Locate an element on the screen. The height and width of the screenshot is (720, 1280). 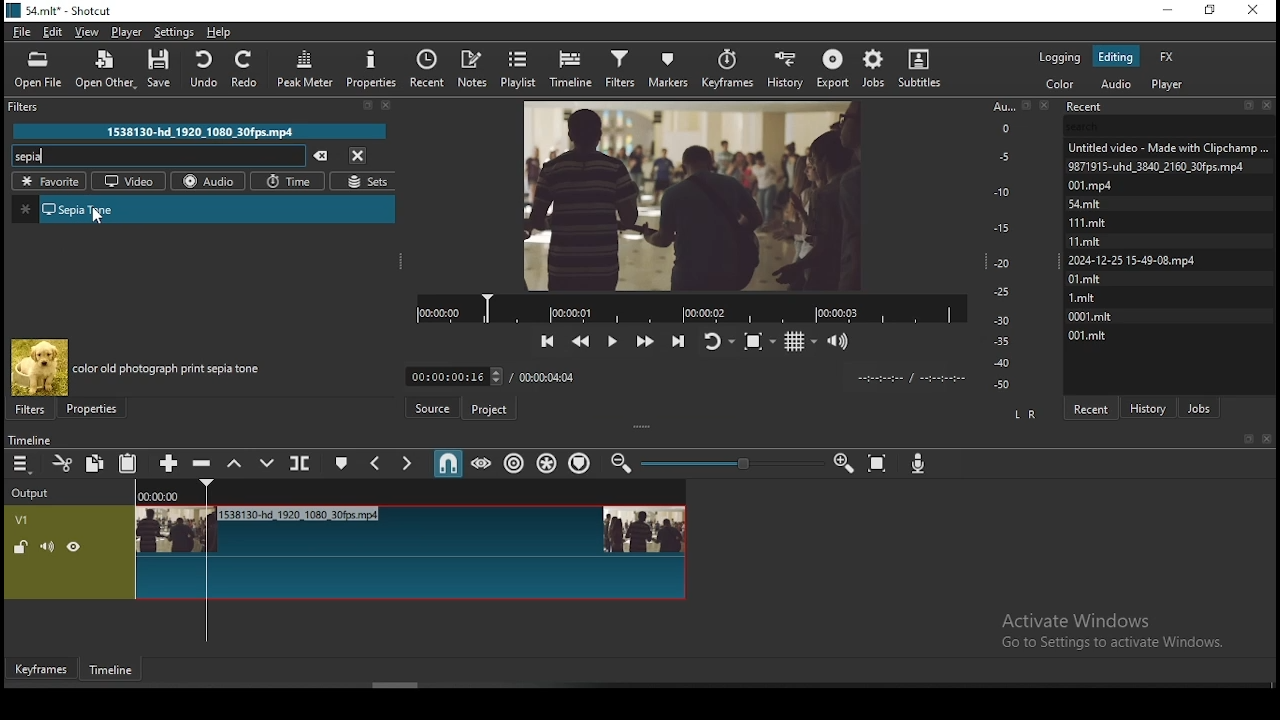
player is located at coordinates (125, 32).